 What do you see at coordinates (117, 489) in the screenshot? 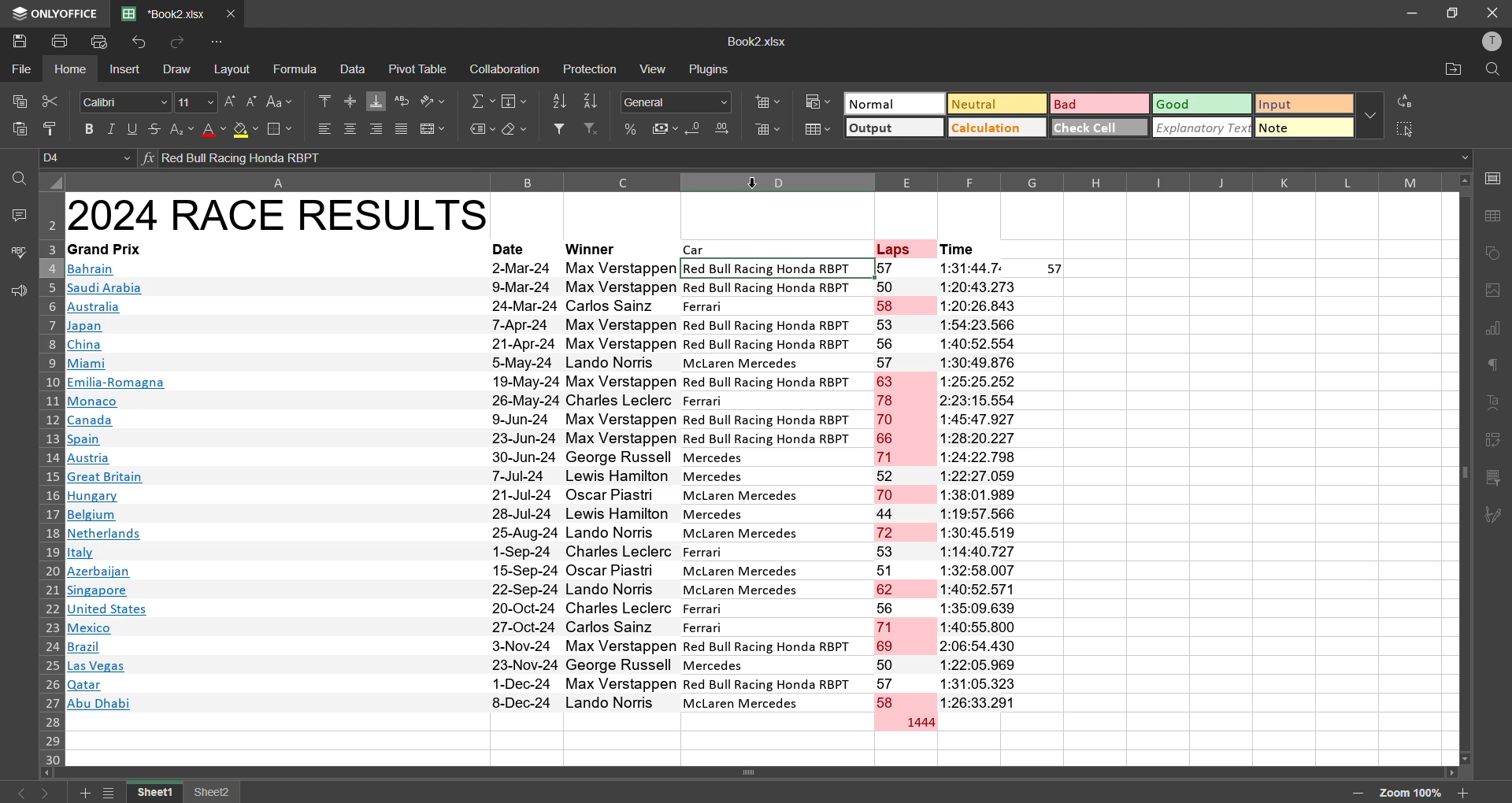
I see `Country` at bounding box center [117, 489].